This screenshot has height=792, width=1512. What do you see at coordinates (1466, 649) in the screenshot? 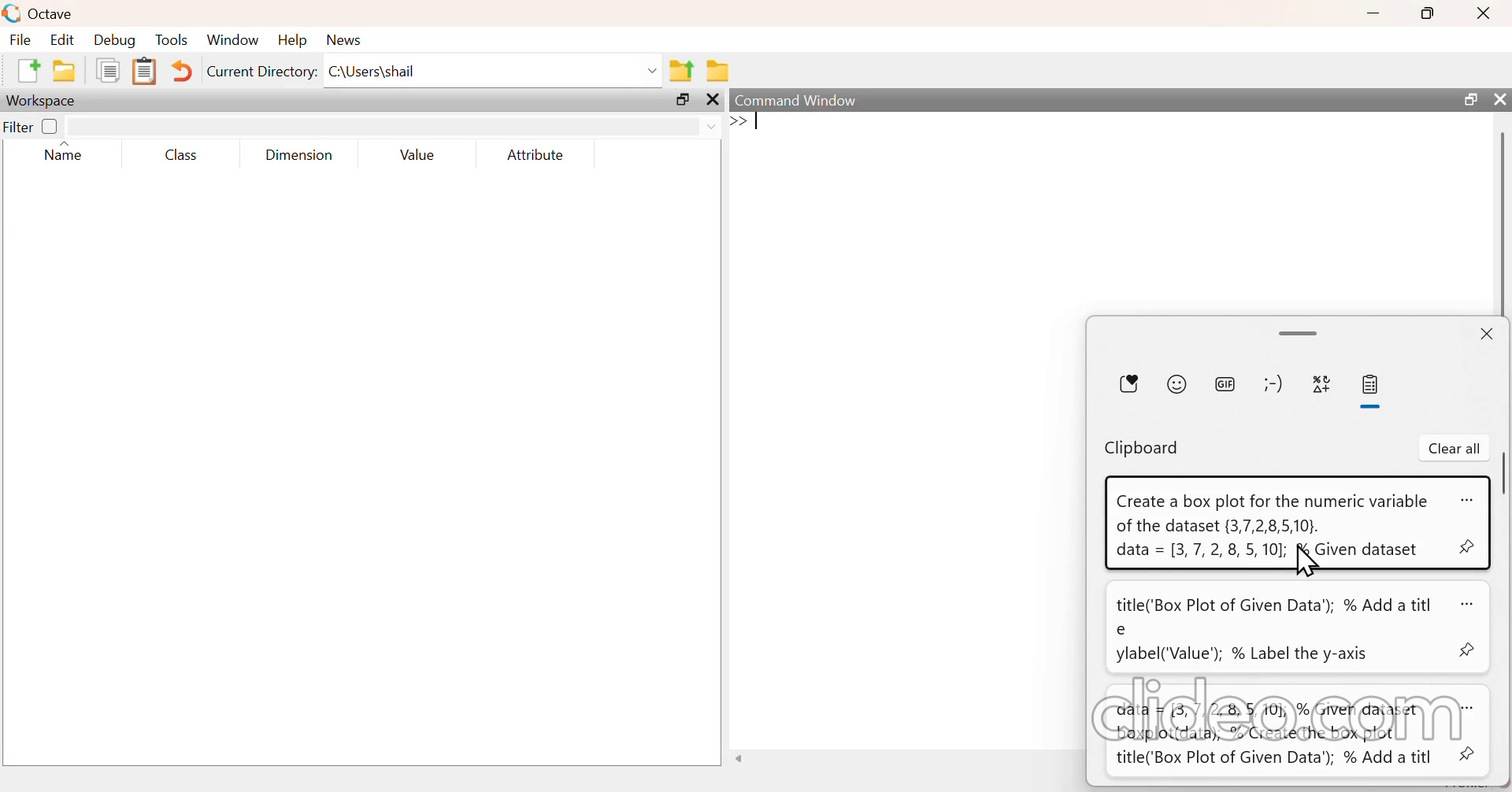
I see `pin` at bounding box center [1466, 649].